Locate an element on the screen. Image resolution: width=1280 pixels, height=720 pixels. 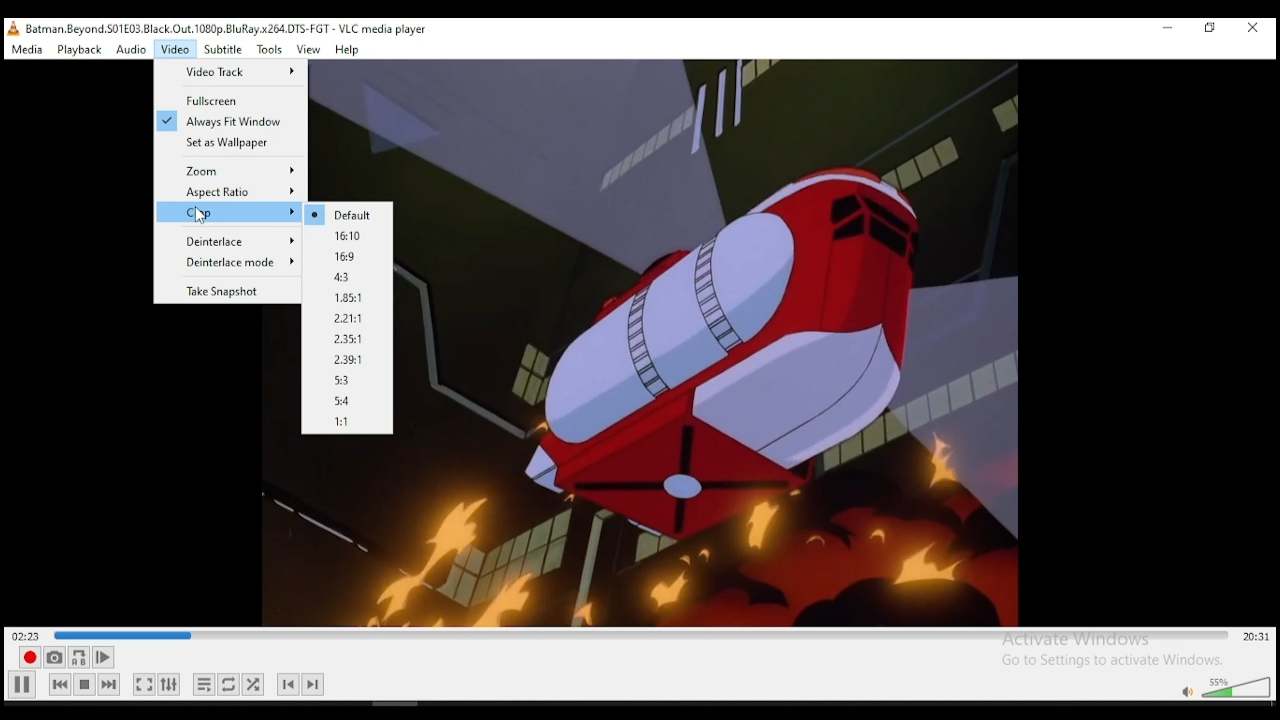
take a snapshot is located at coordinates (54, 657).